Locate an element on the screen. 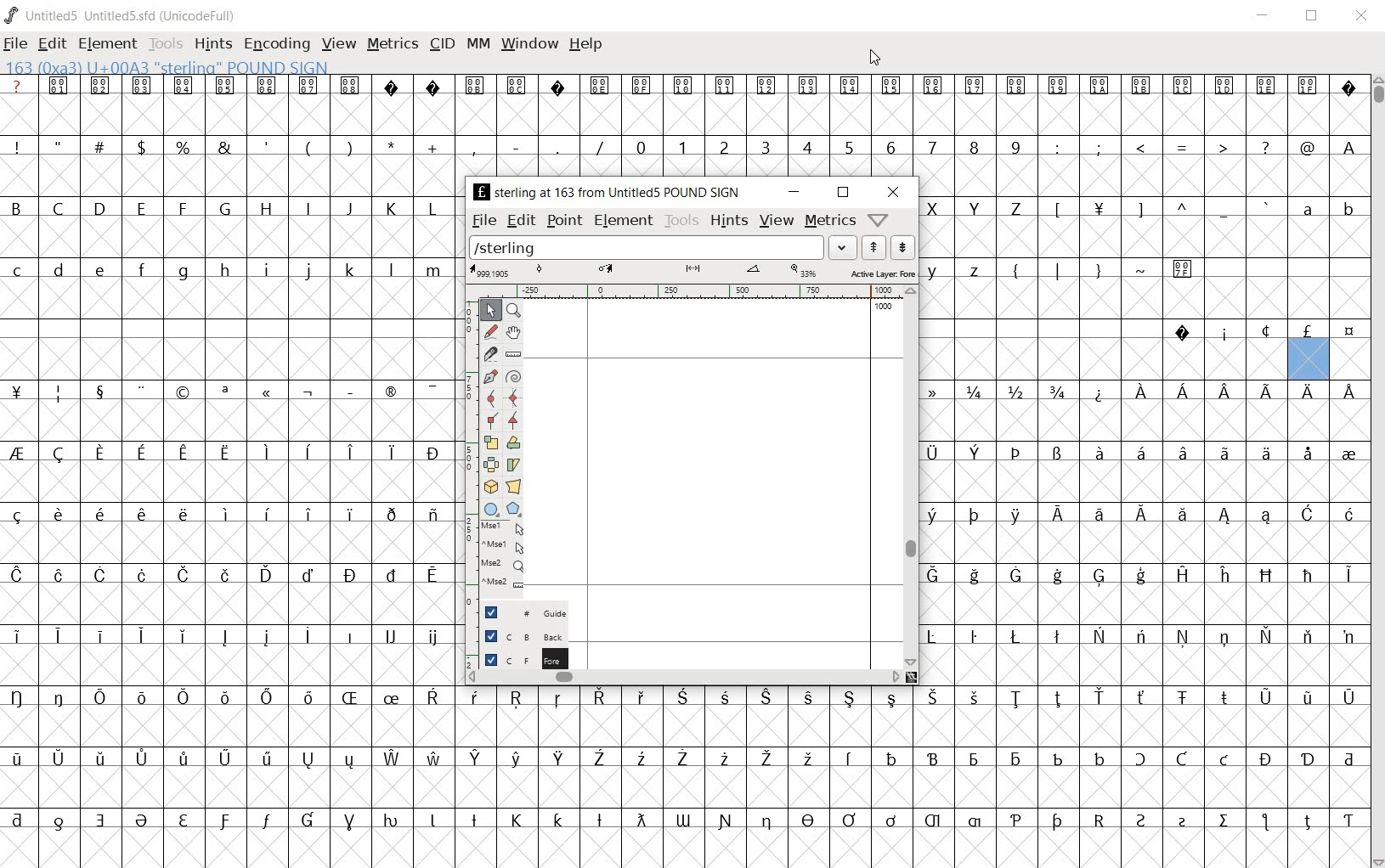  Symbol is located at coordinates (390, 513).